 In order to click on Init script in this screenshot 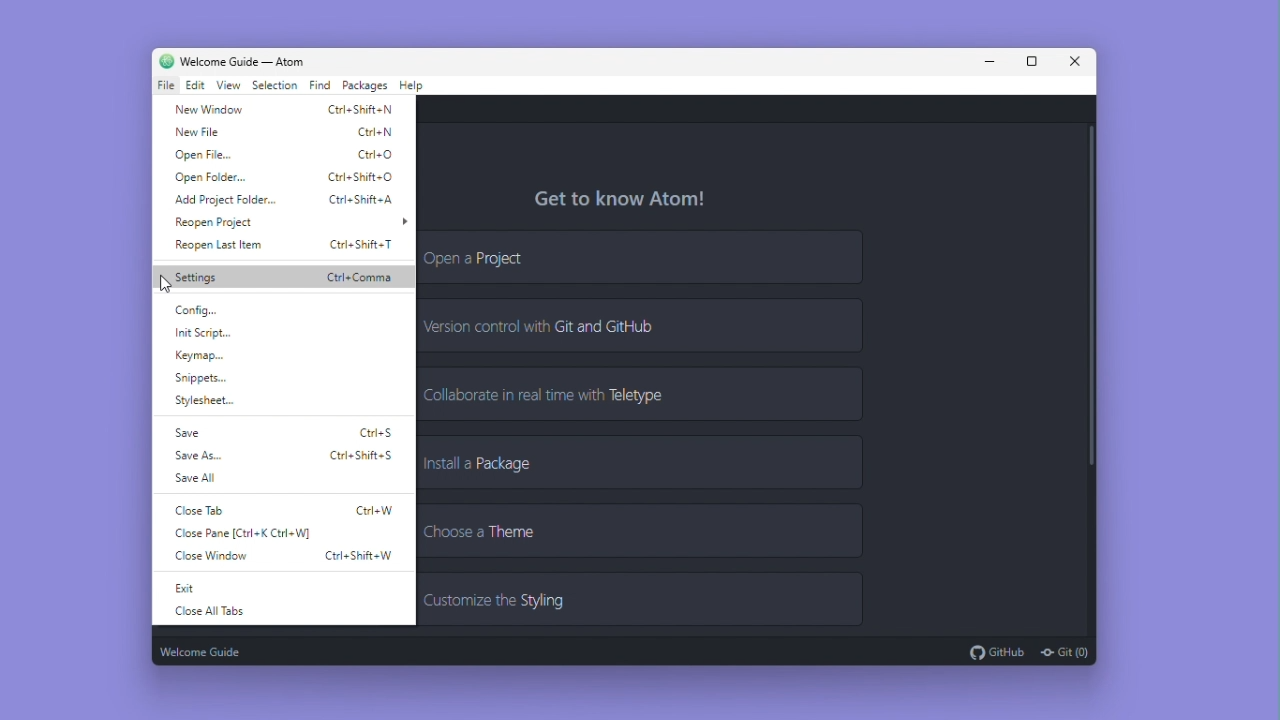, I will do `click(206, 336)`.